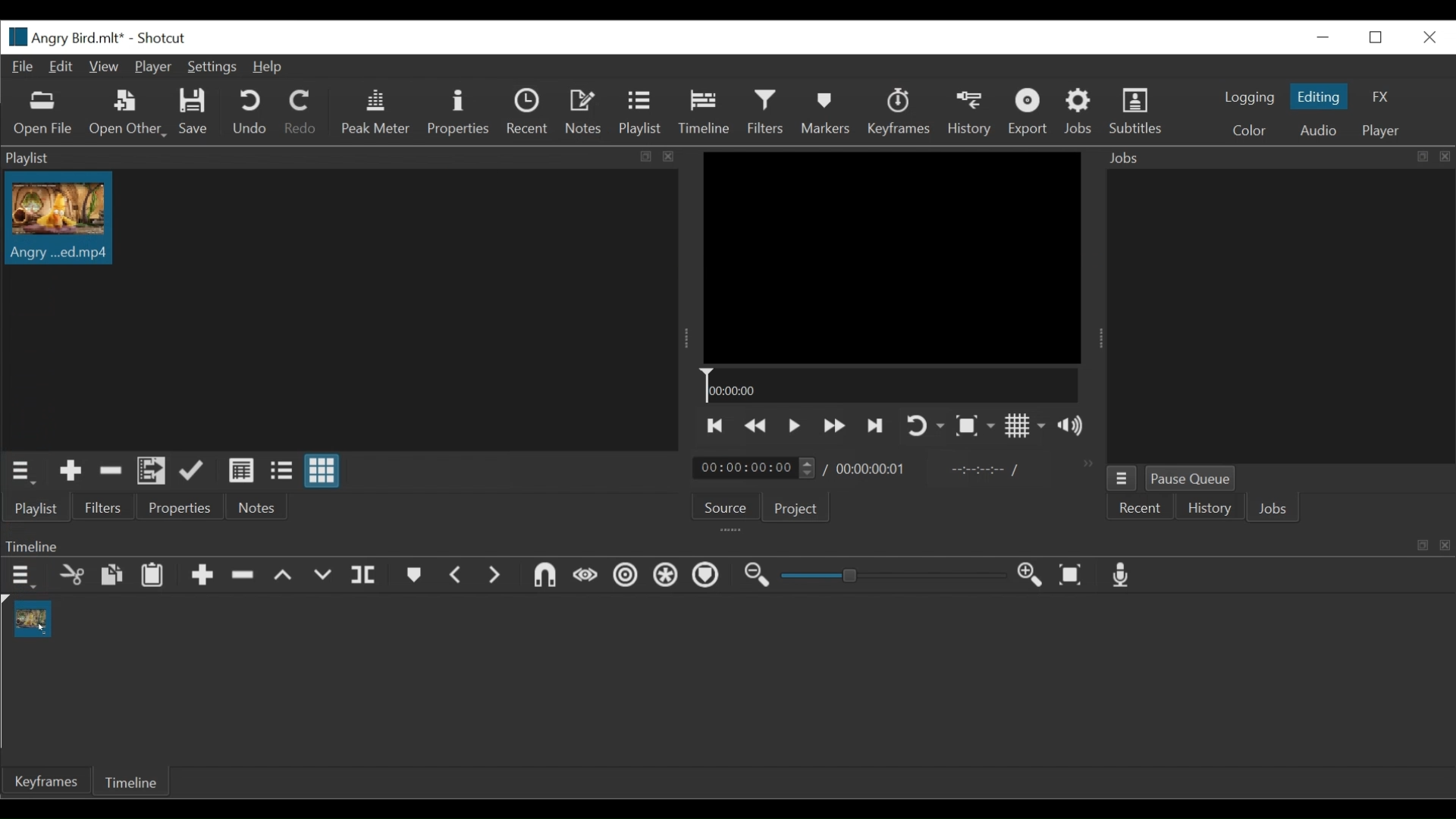 The height and width of the screenshot is (819, 1456). I want to click on Properties, so click(459, 113).